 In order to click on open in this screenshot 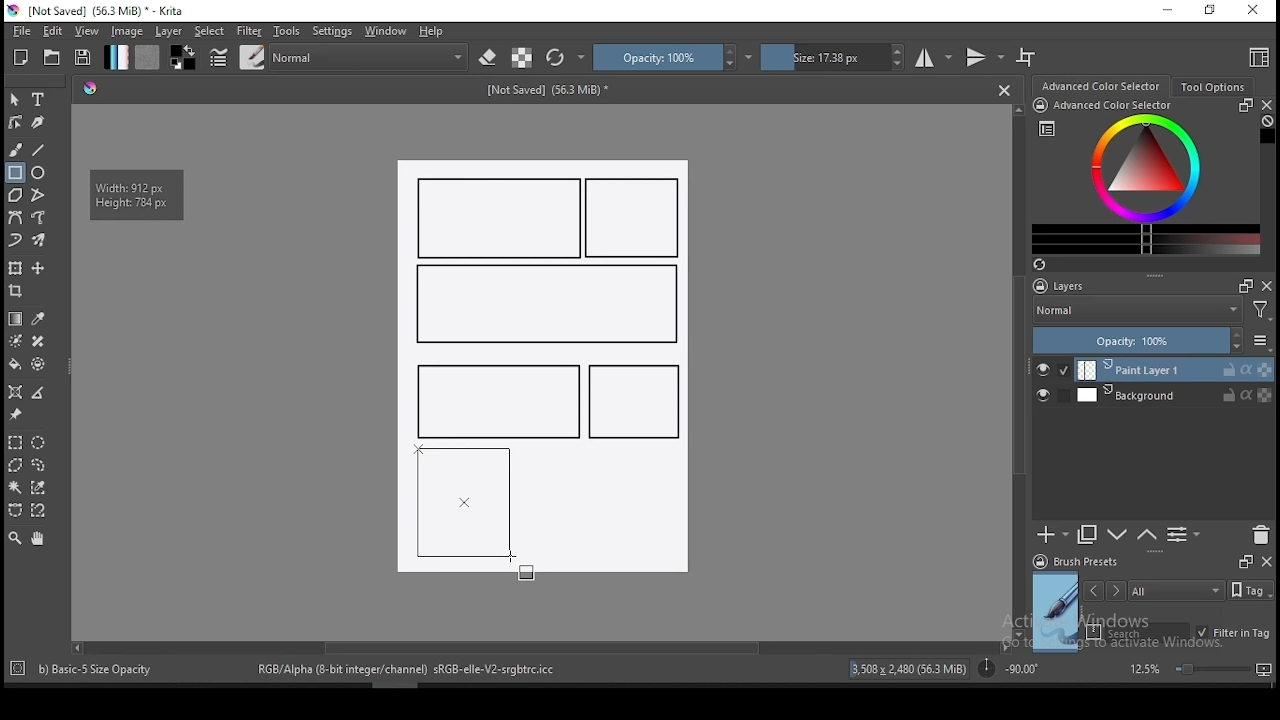, I will do `click(52, 57)`.